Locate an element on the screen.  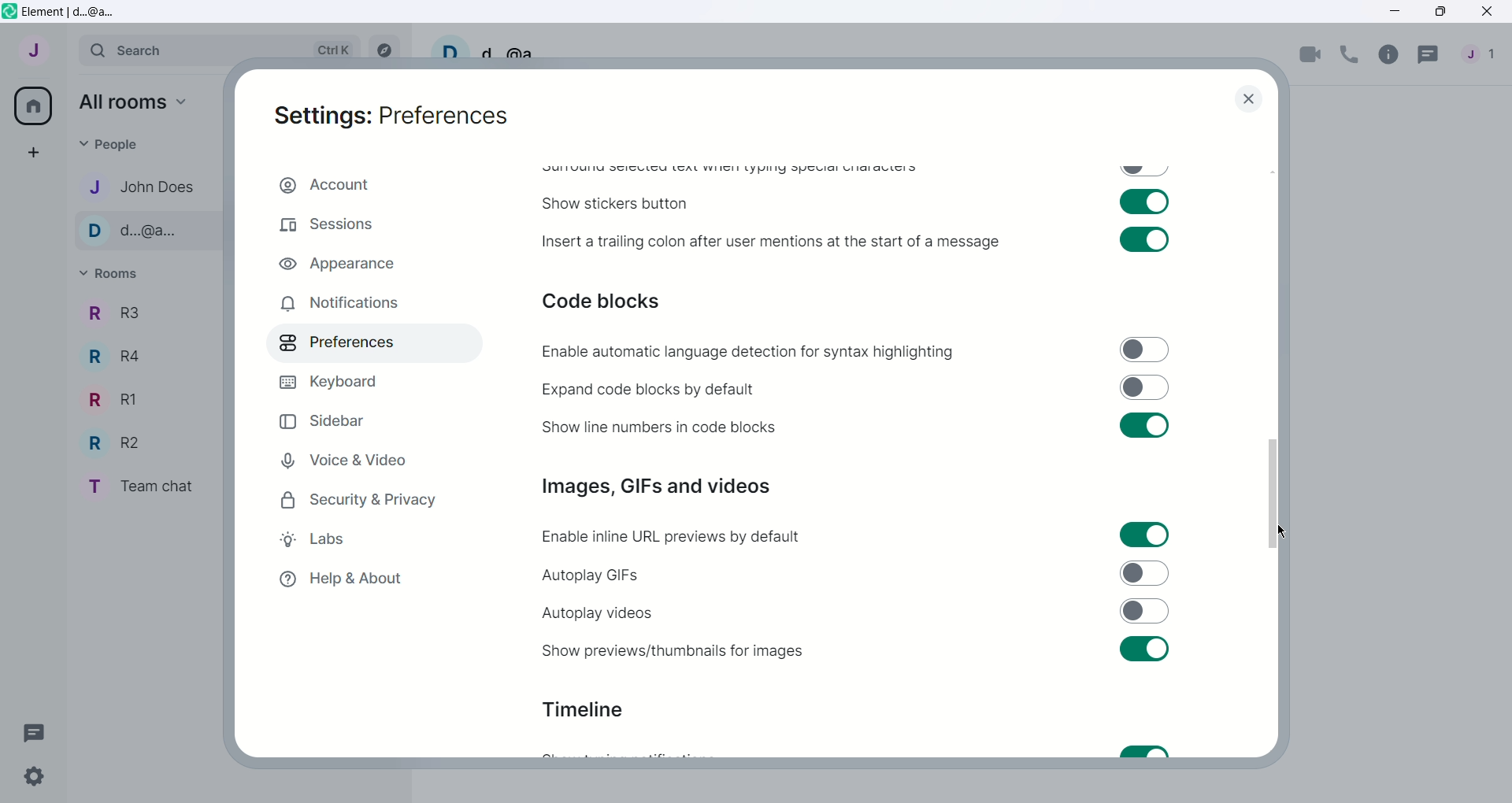
Help and About is located at coordinates (347, 578).